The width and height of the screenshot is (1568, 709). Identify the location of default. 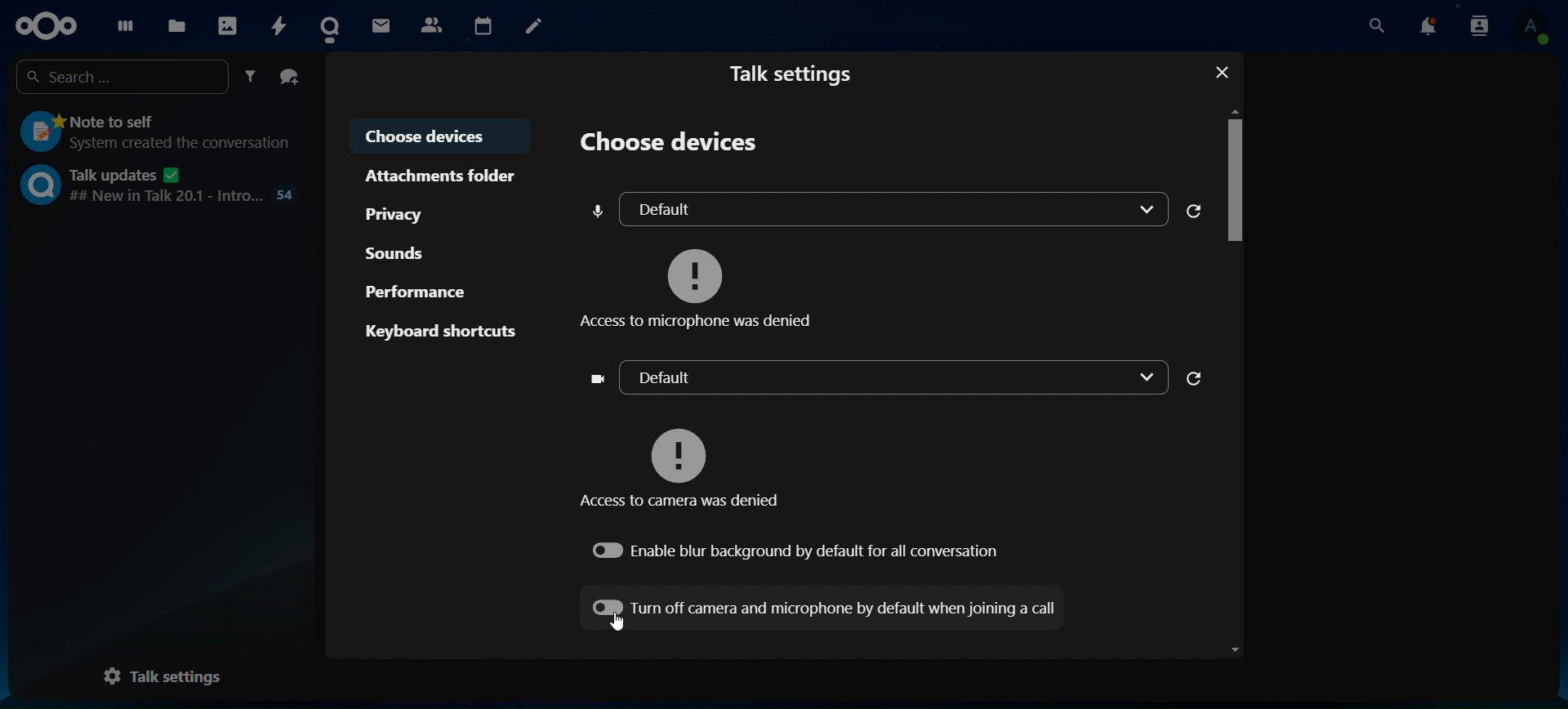
(880, 208).